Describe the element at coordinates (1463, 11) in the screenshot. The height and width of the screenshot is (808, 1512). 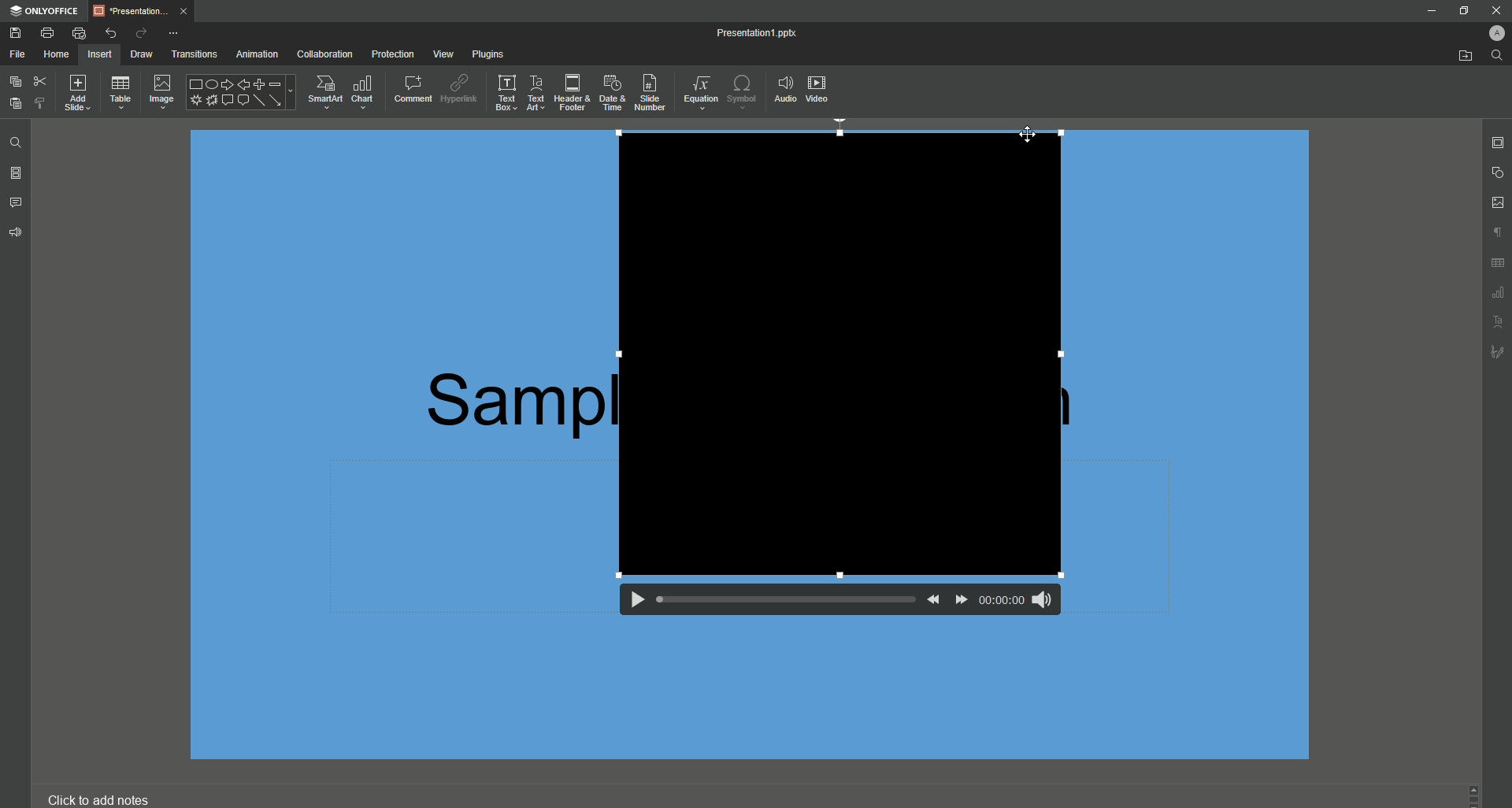
I see `Restore` at that location.